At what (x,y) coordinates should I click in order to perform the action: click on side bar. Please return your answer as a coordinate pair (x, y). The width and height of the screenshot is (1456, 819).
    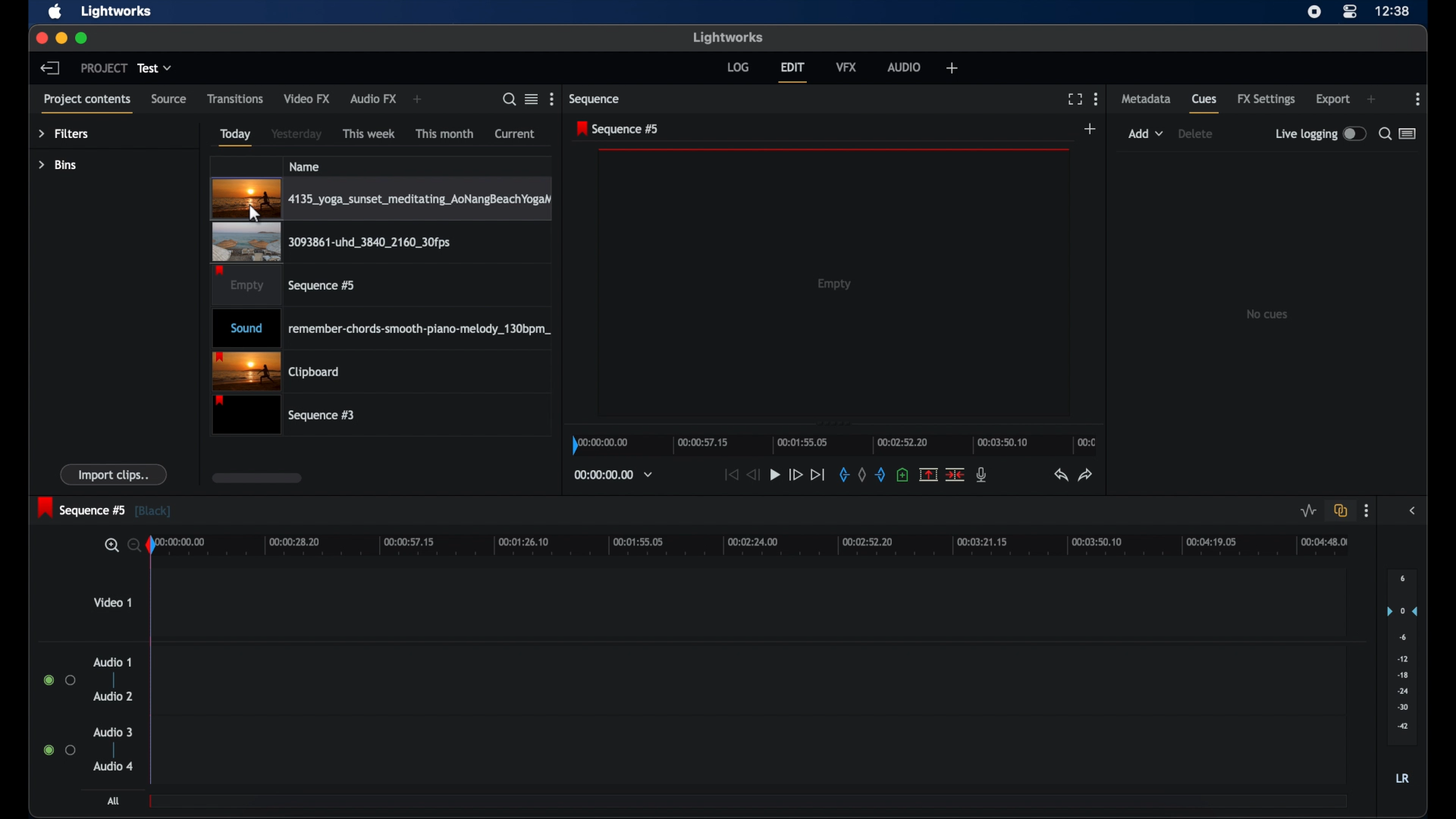
    Looking at the image, I should click on (1414, 510).